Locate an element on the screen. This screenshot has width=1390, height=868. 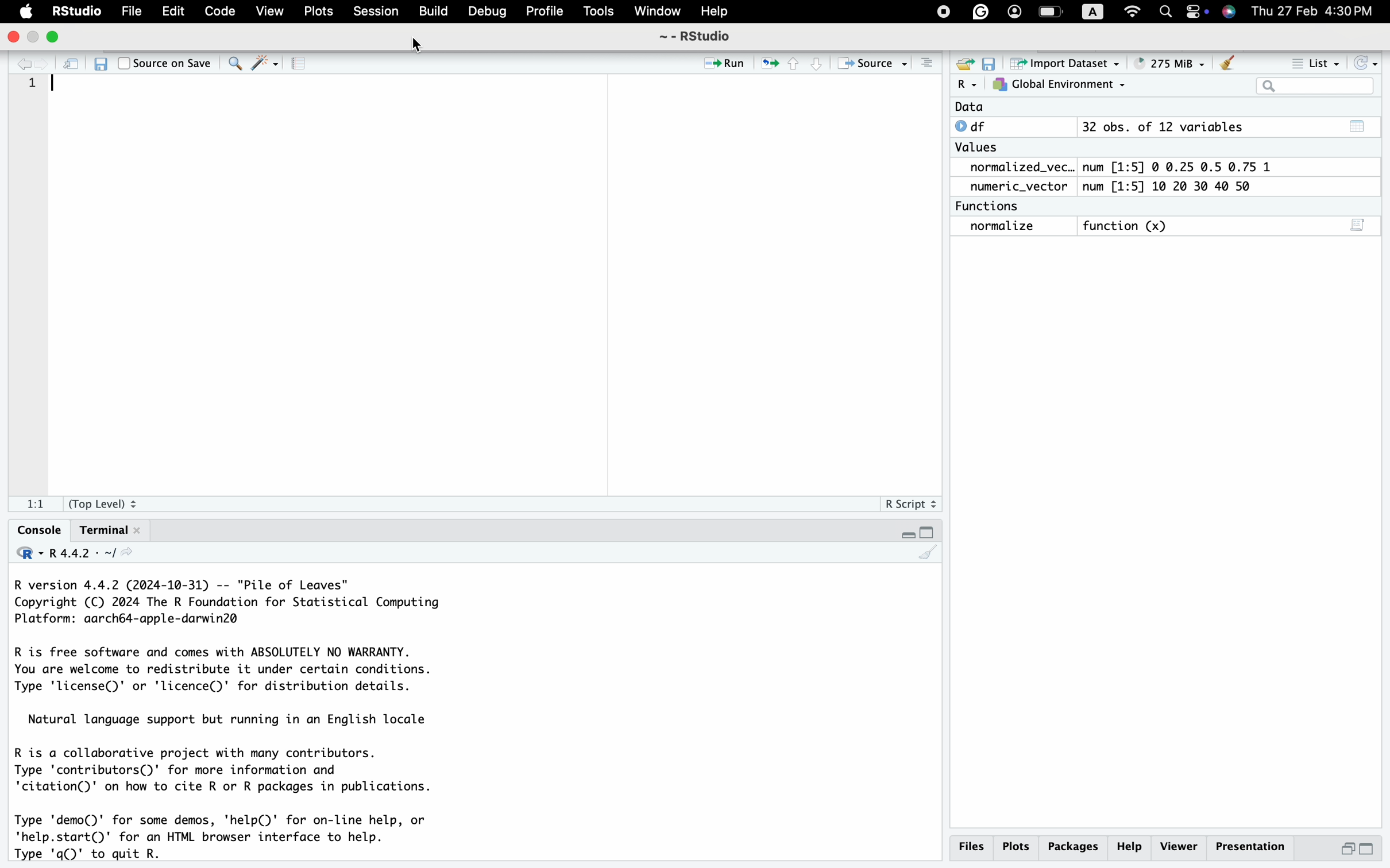
Thu 27 Feb 4:30 PM is located at coordinates (1317, 11).